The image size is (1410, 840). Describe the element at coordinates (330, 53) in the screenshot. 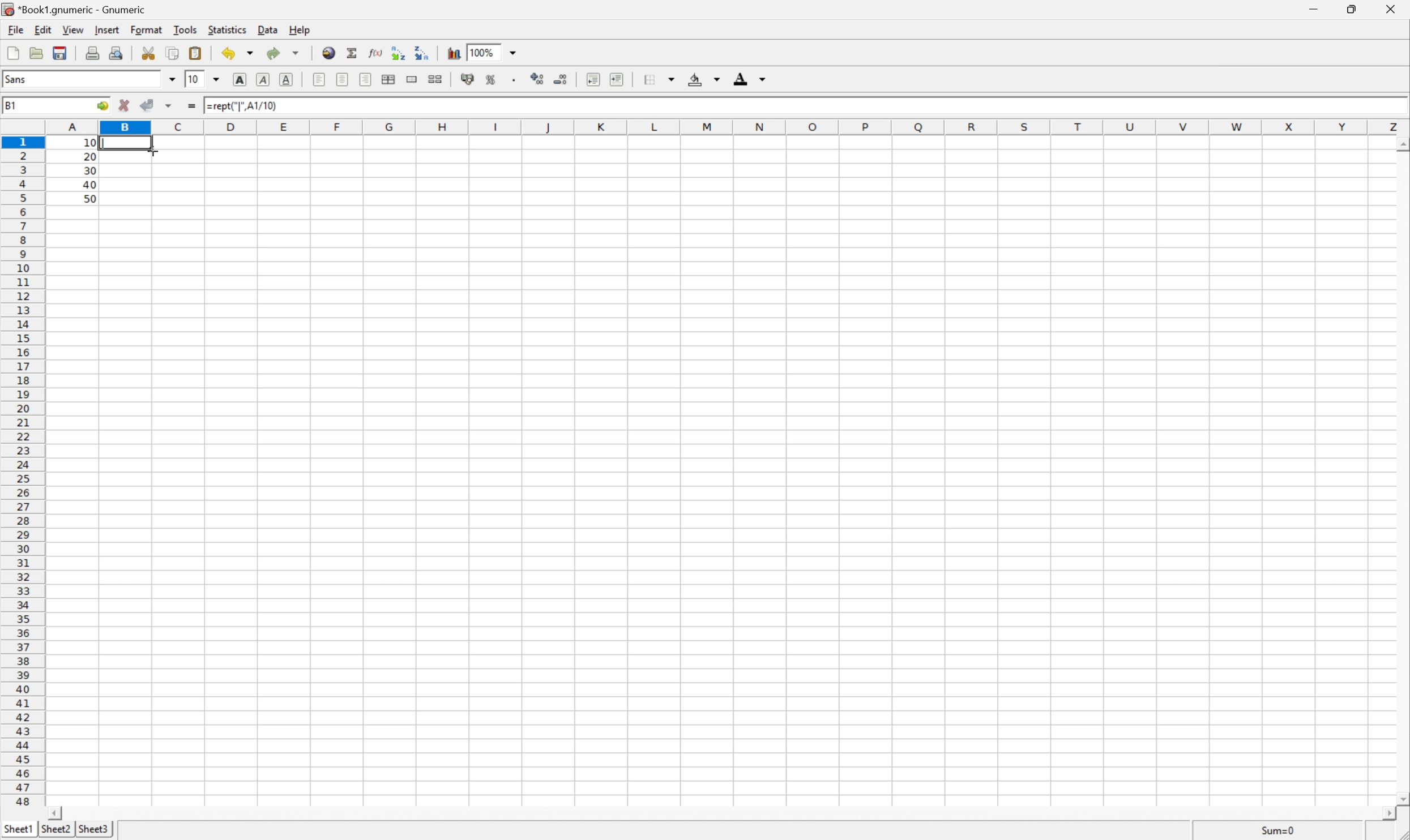

I see `Insert a hyperlink` at that location.